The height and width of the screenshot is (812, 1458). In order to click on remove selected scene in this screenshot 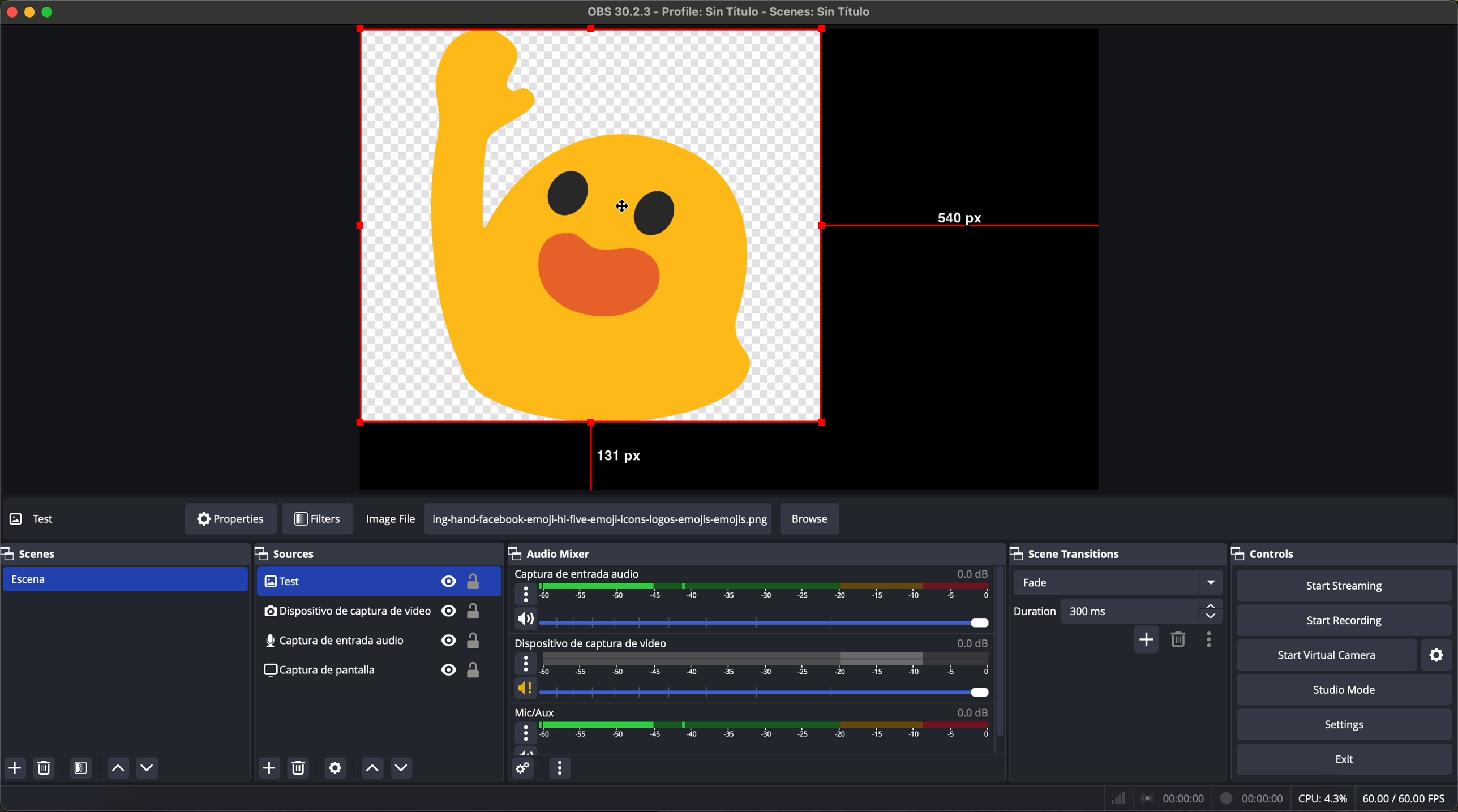, I will do `click(44, 768)`.